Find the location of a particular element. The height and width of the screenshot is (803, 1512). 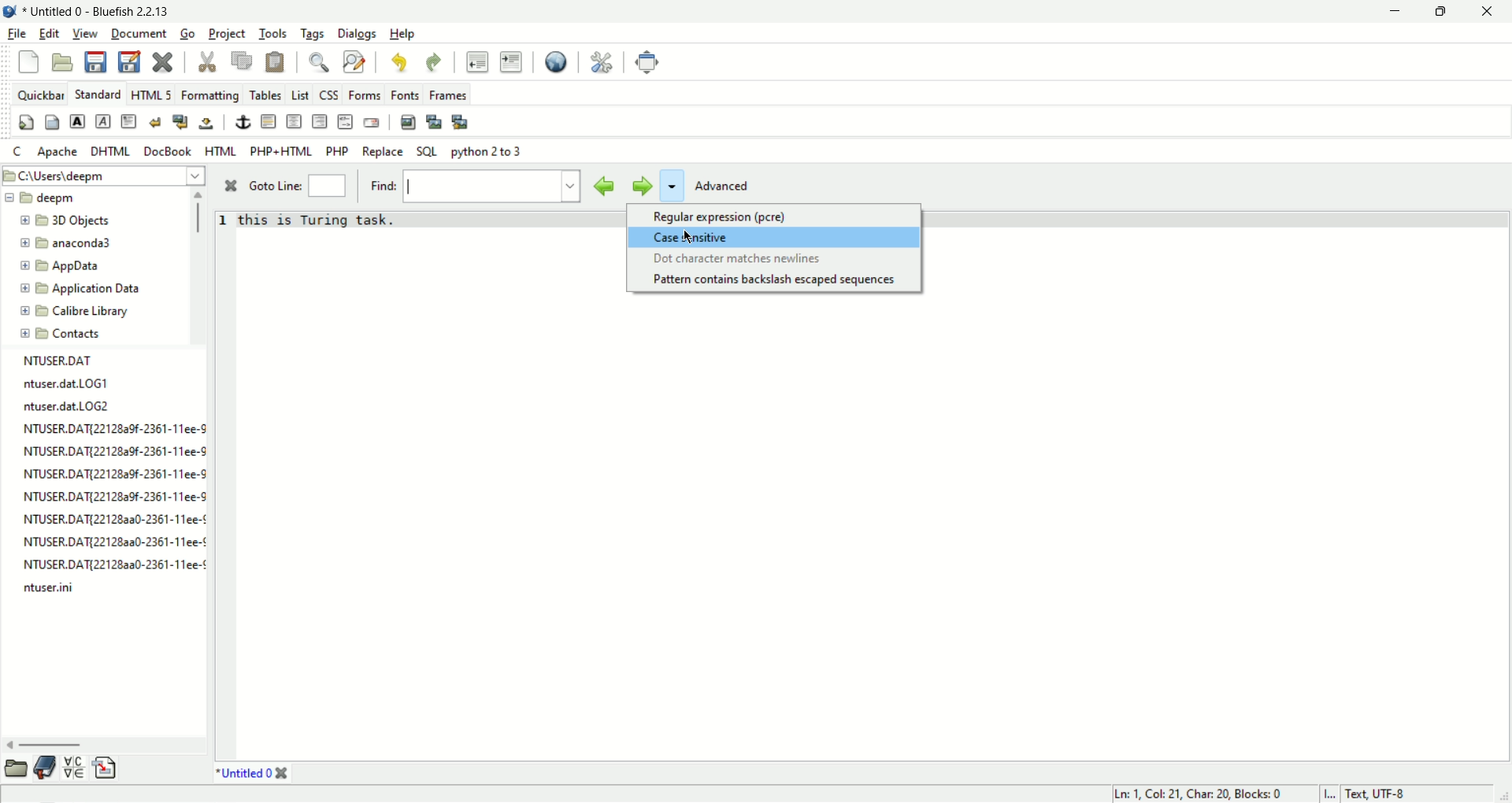

ntuser.dat.LOG1 is located at coordinates (57, 383).